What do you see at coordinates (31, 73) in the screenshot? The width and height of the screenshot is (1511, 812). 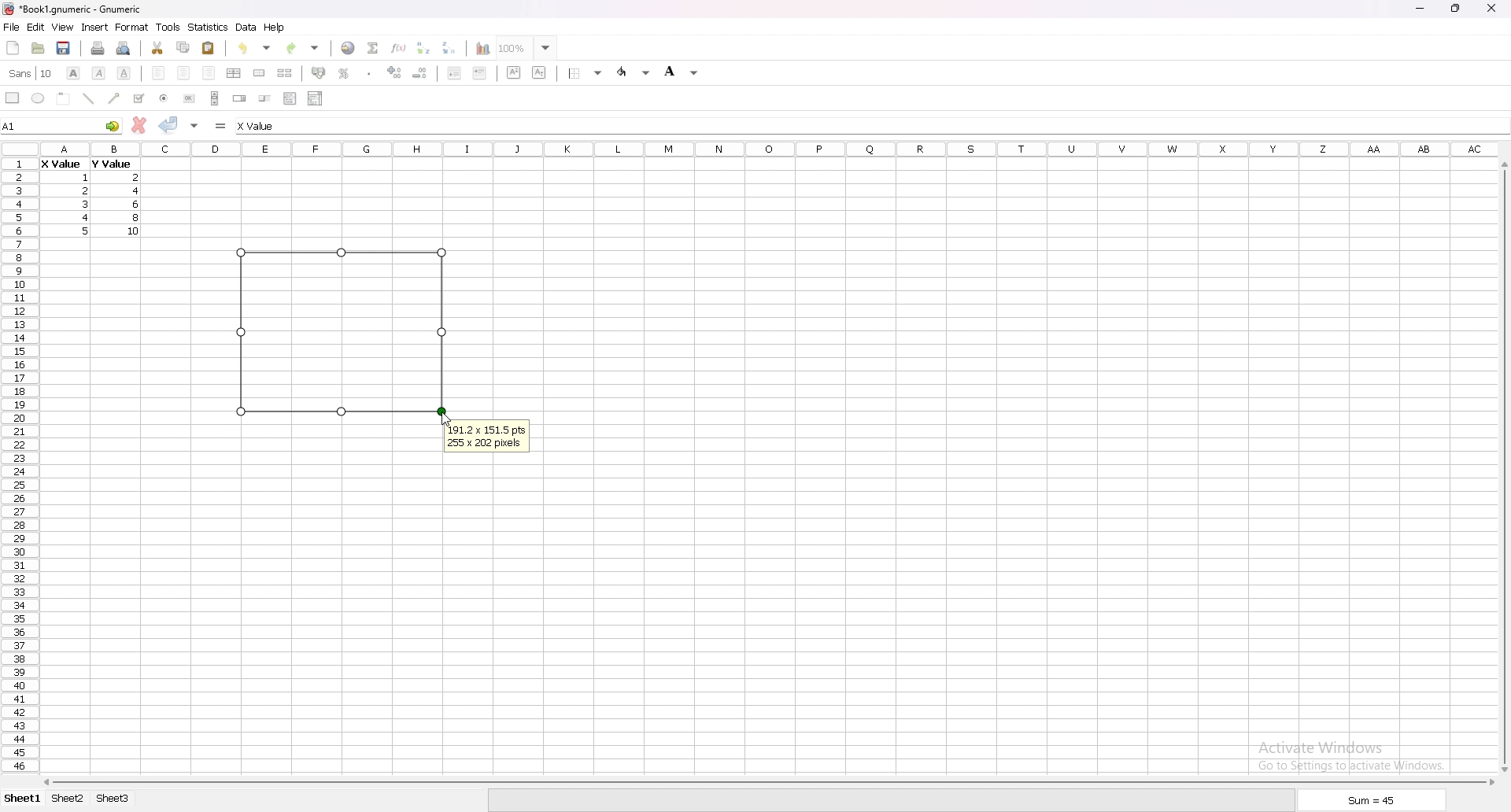 I see `font` at bounding box center [31, 73].